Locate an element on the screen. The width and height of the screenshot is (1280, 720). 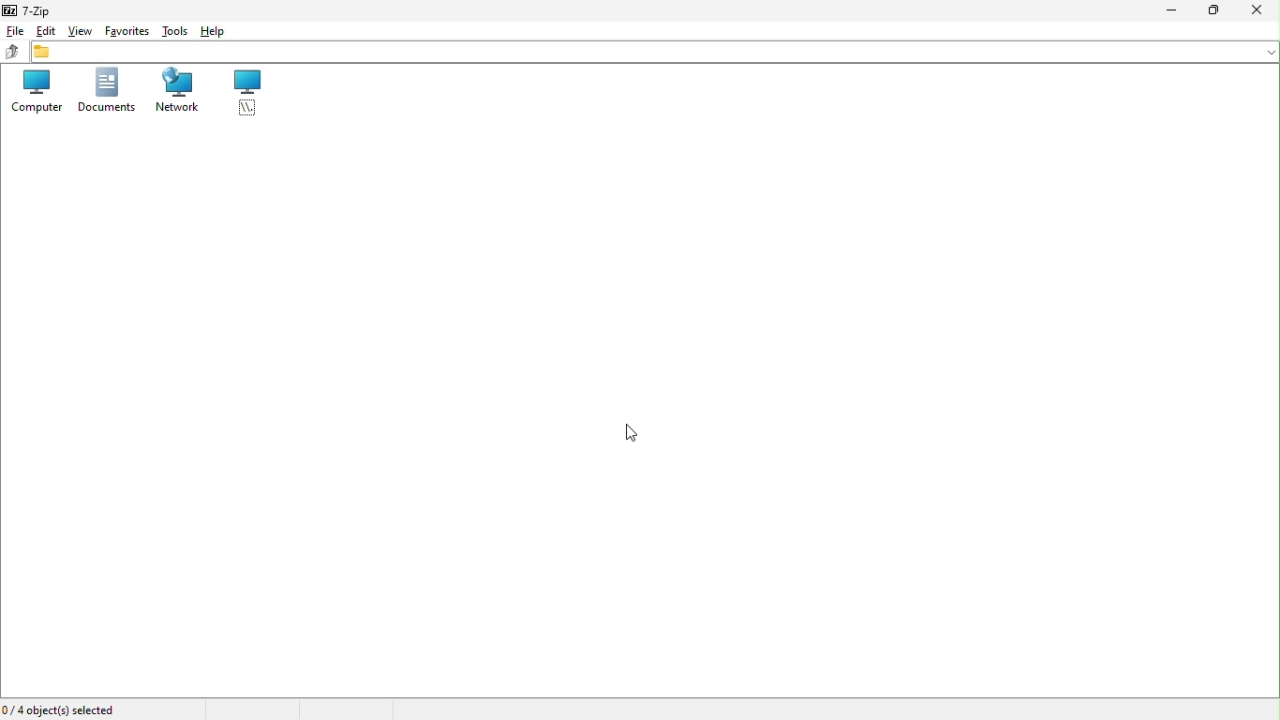
root is located at coordinates (249, 92).